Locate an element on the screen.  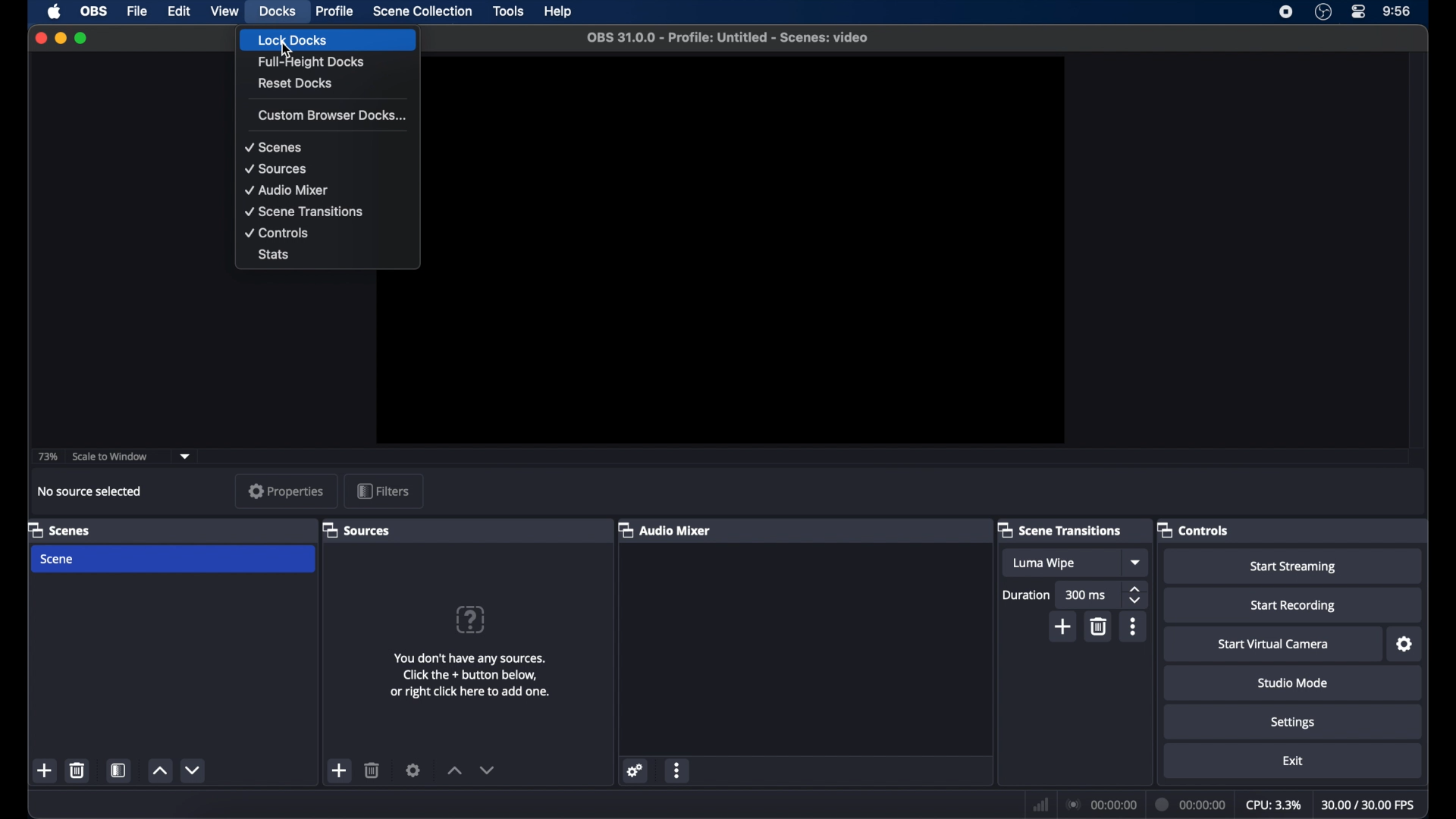
connections is located at coordinates (1100, 805).